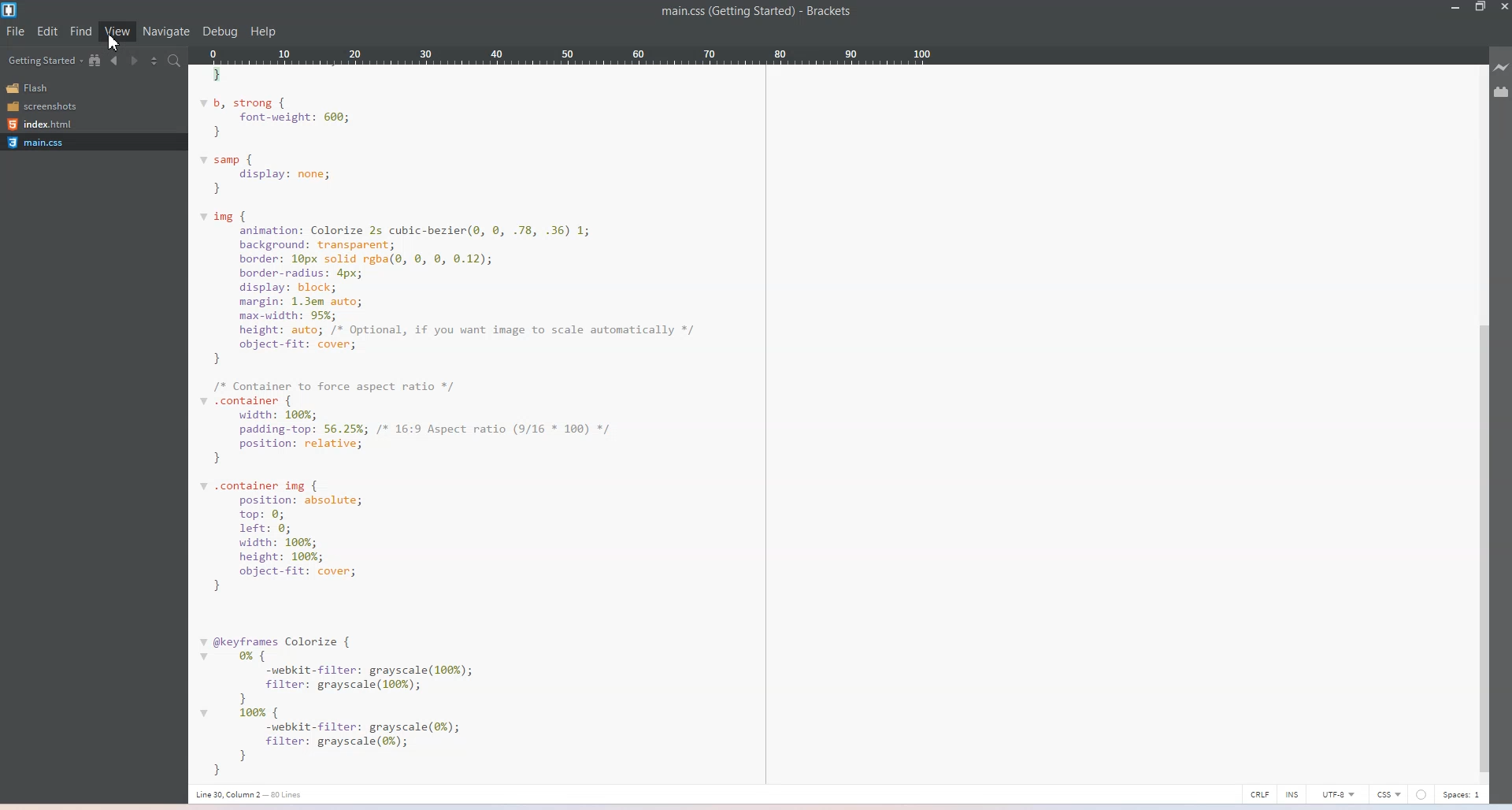 This screenshot has width=1512, height=810. Describe the element at coordinates (117, 32) in the screenshot. I see `View` at that location.